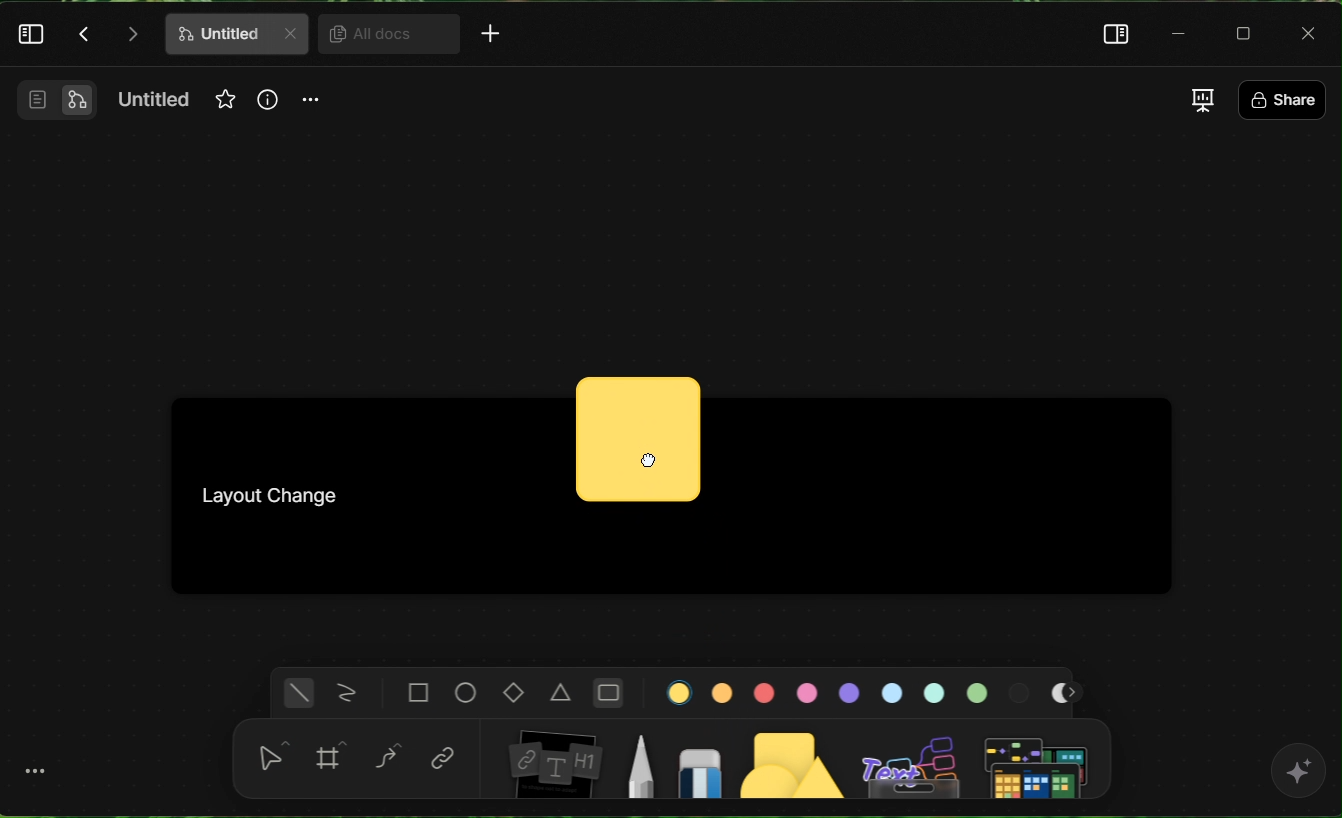  Describe the element at coordinates (312, 106) in the screenshot. I see `more` at that location.